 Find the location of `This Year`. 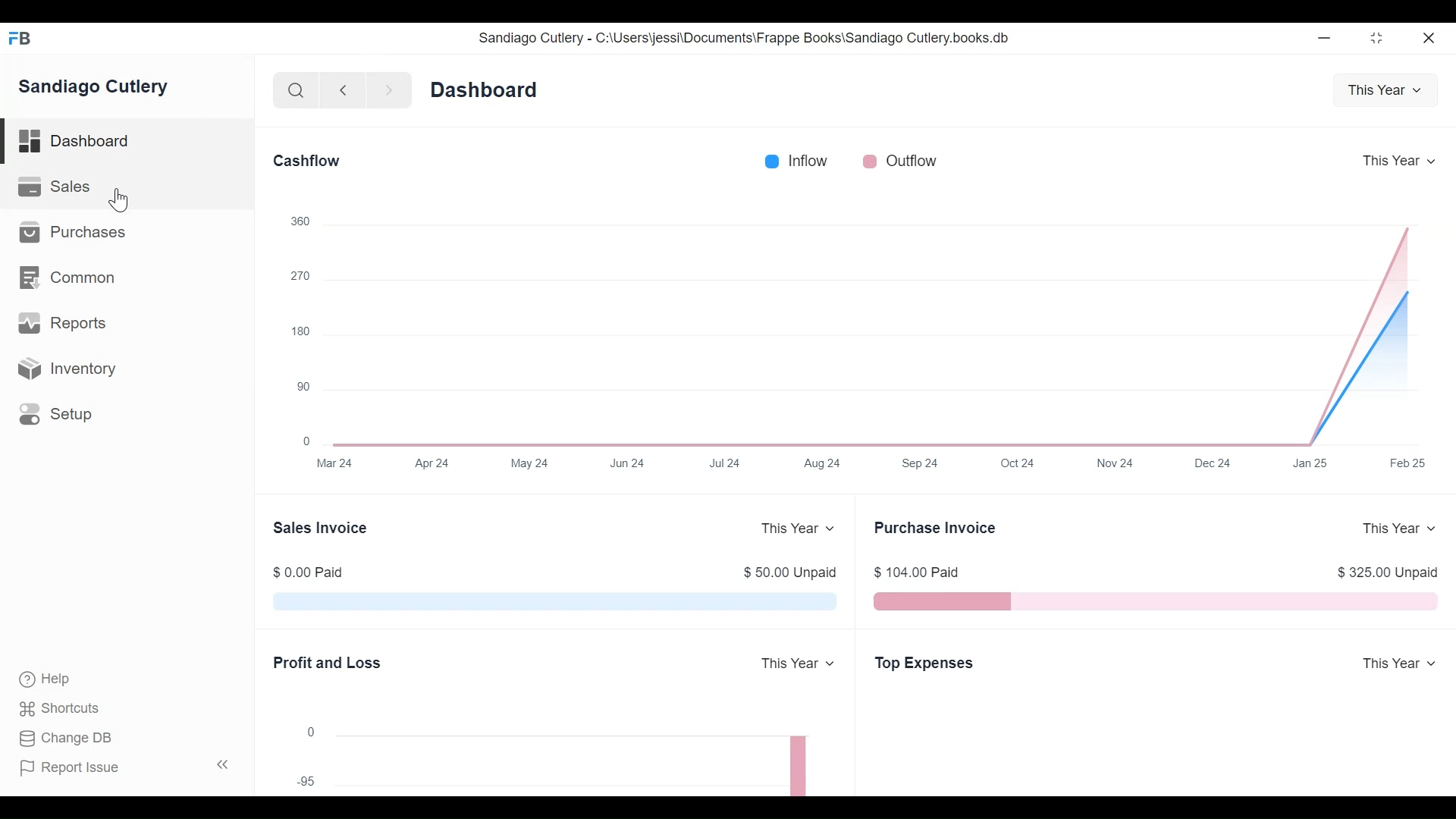

This Year is located at coordinates (799, 529).